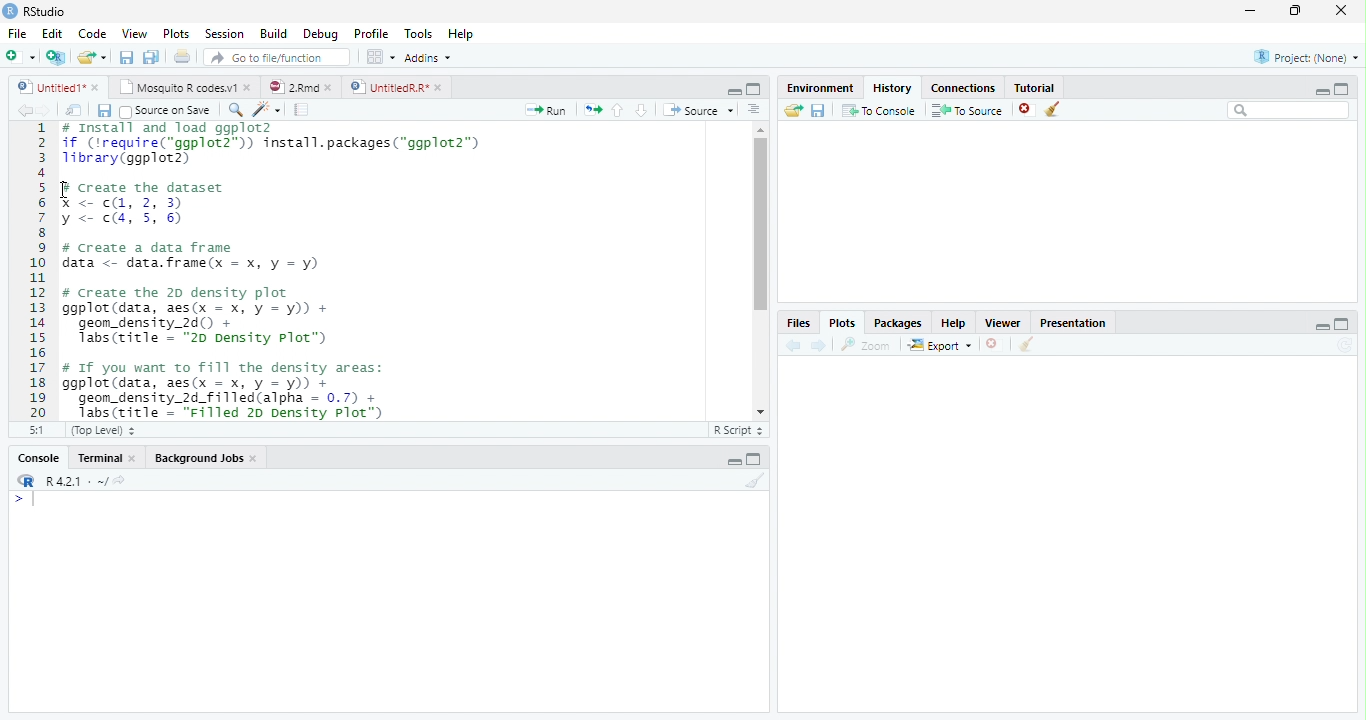 The height and width of the screenshot is (720, 1366). What do you see at coordinates (739, 431) in the screenshot?
I see `R Script` at bounding box center [739, 431].